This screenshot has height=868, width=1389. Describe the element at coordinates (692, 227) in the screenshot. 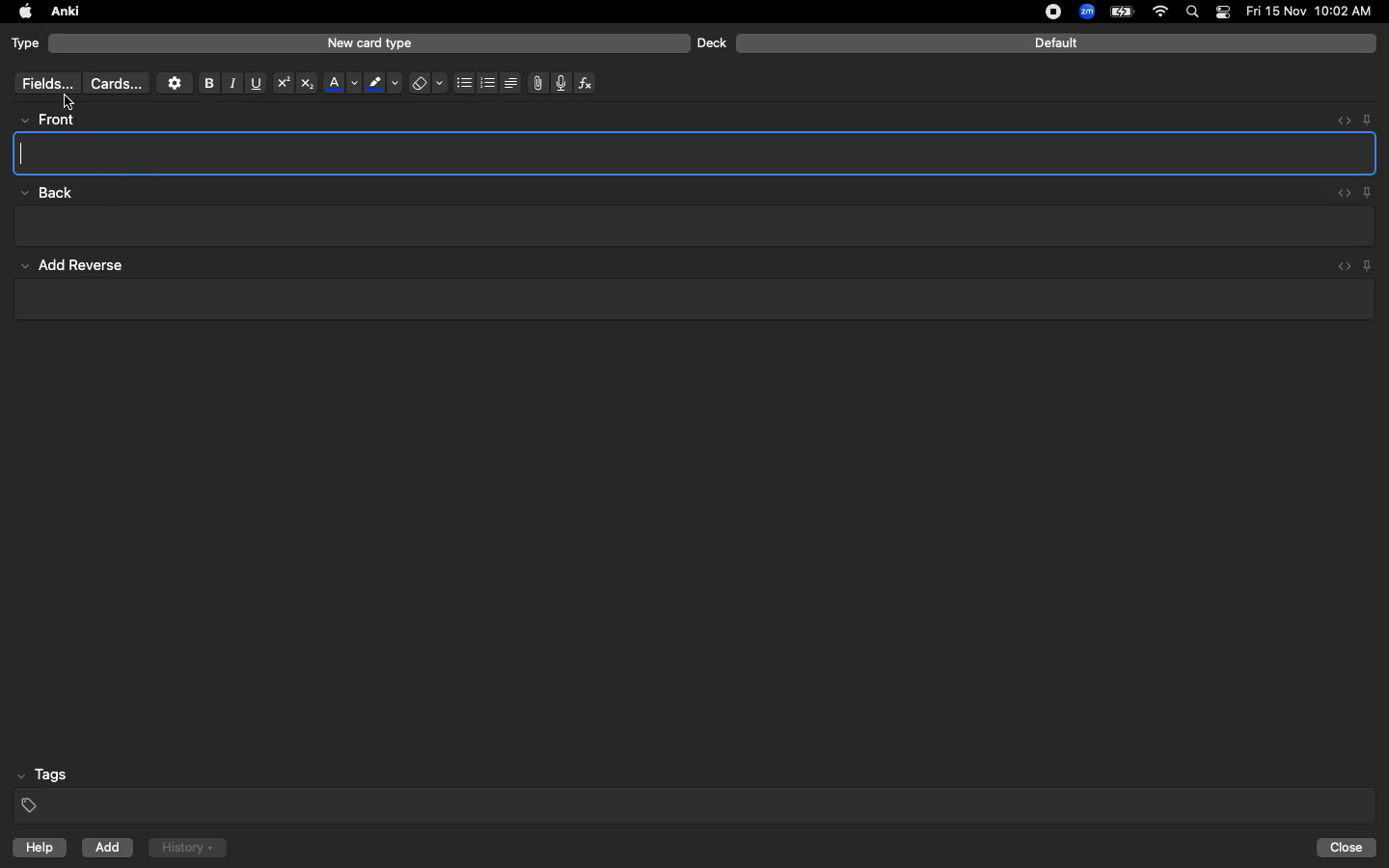

I see `Textbox` at that location.